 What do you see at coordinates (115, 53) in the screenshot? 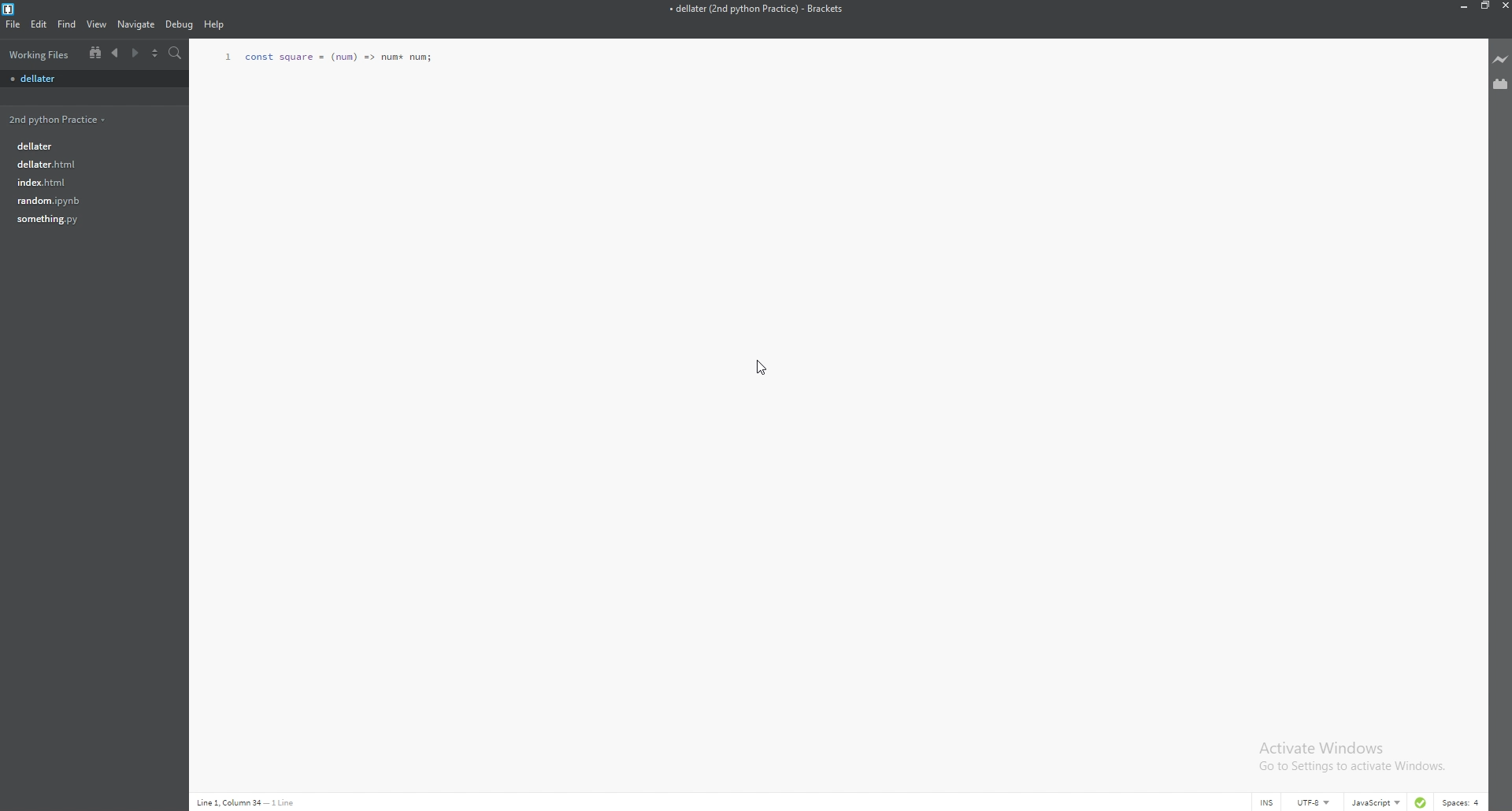
I see `previous` at bounding box center [115, 53].